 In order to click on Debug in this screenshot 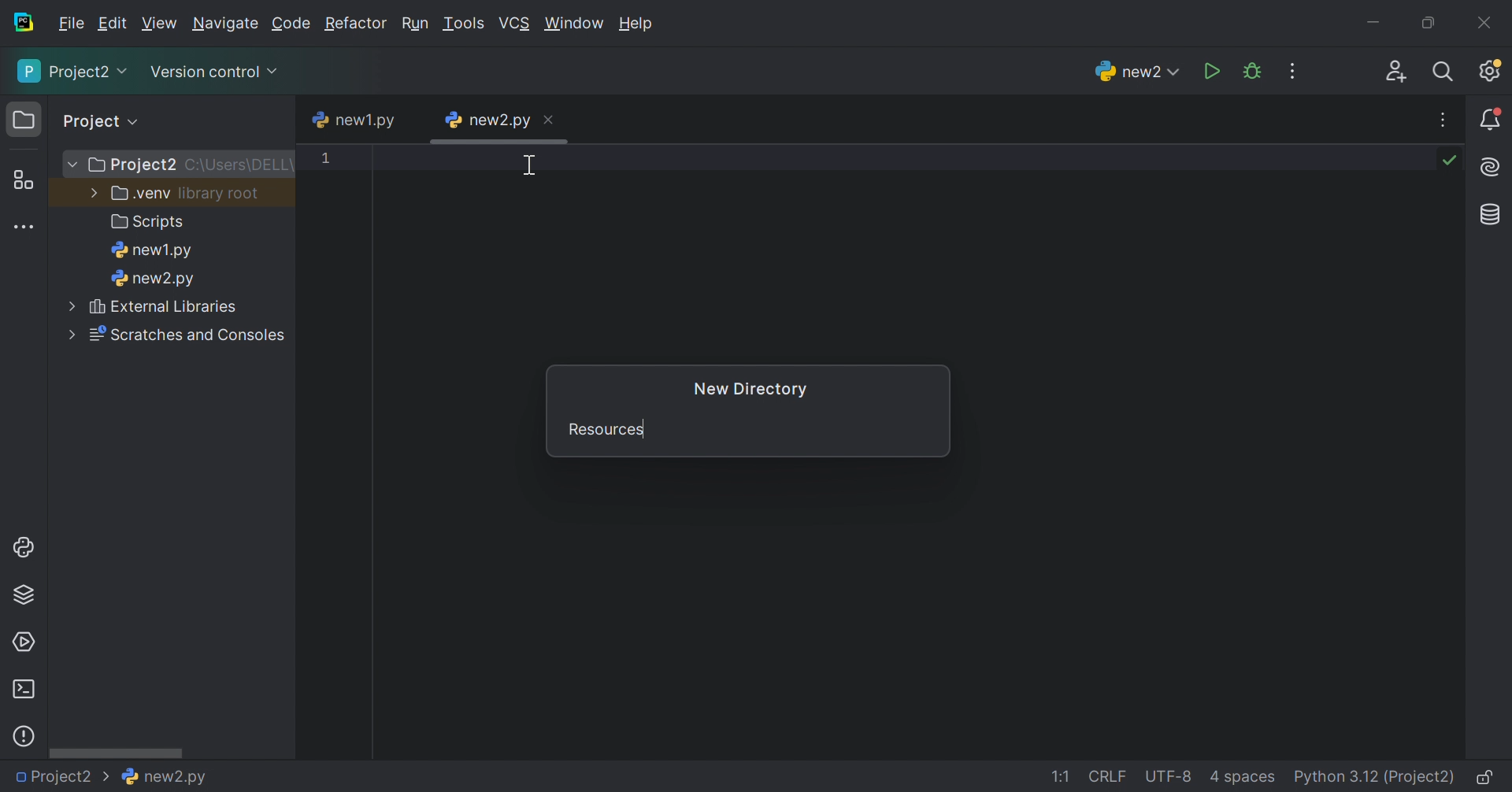, I will do `click(1251, 71)`.